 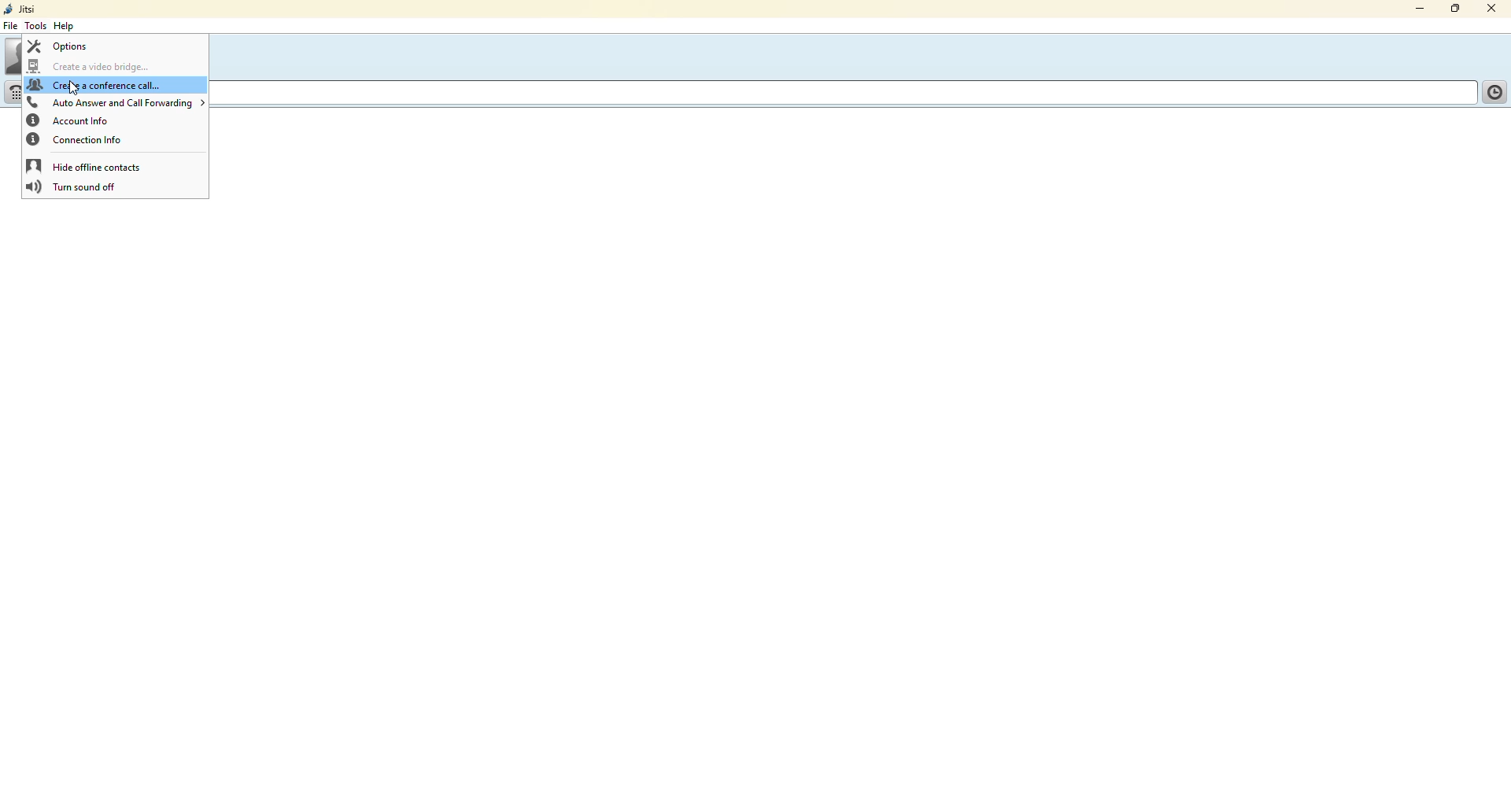 What do you see at coordinates (69, 24) in the screenshot?
I see `help` at bounding box center [69, 24].